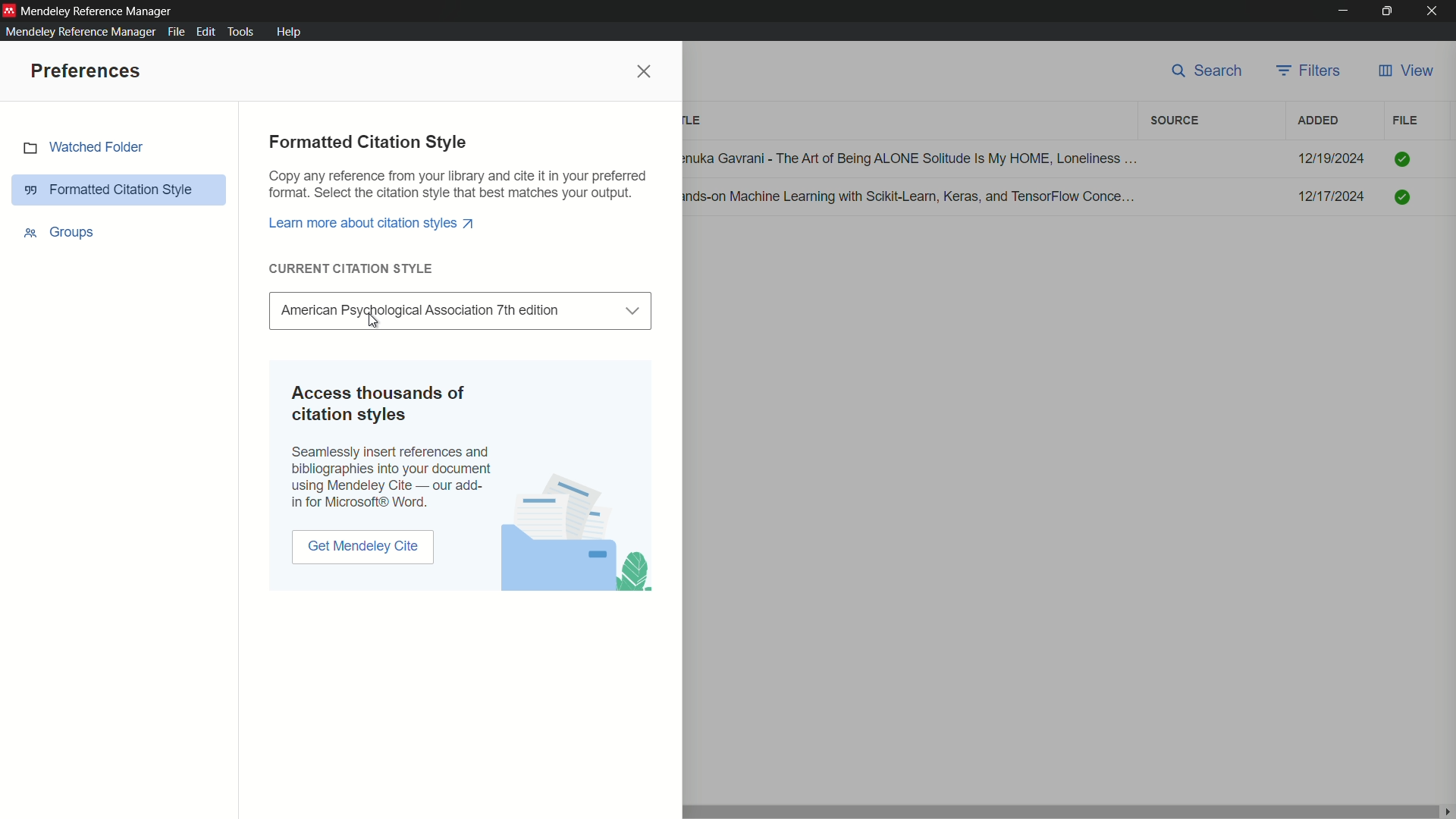  What do you see at coordinates (1406, 73) in the screenshot?
I see `view` at bounding box center [1406, 73].